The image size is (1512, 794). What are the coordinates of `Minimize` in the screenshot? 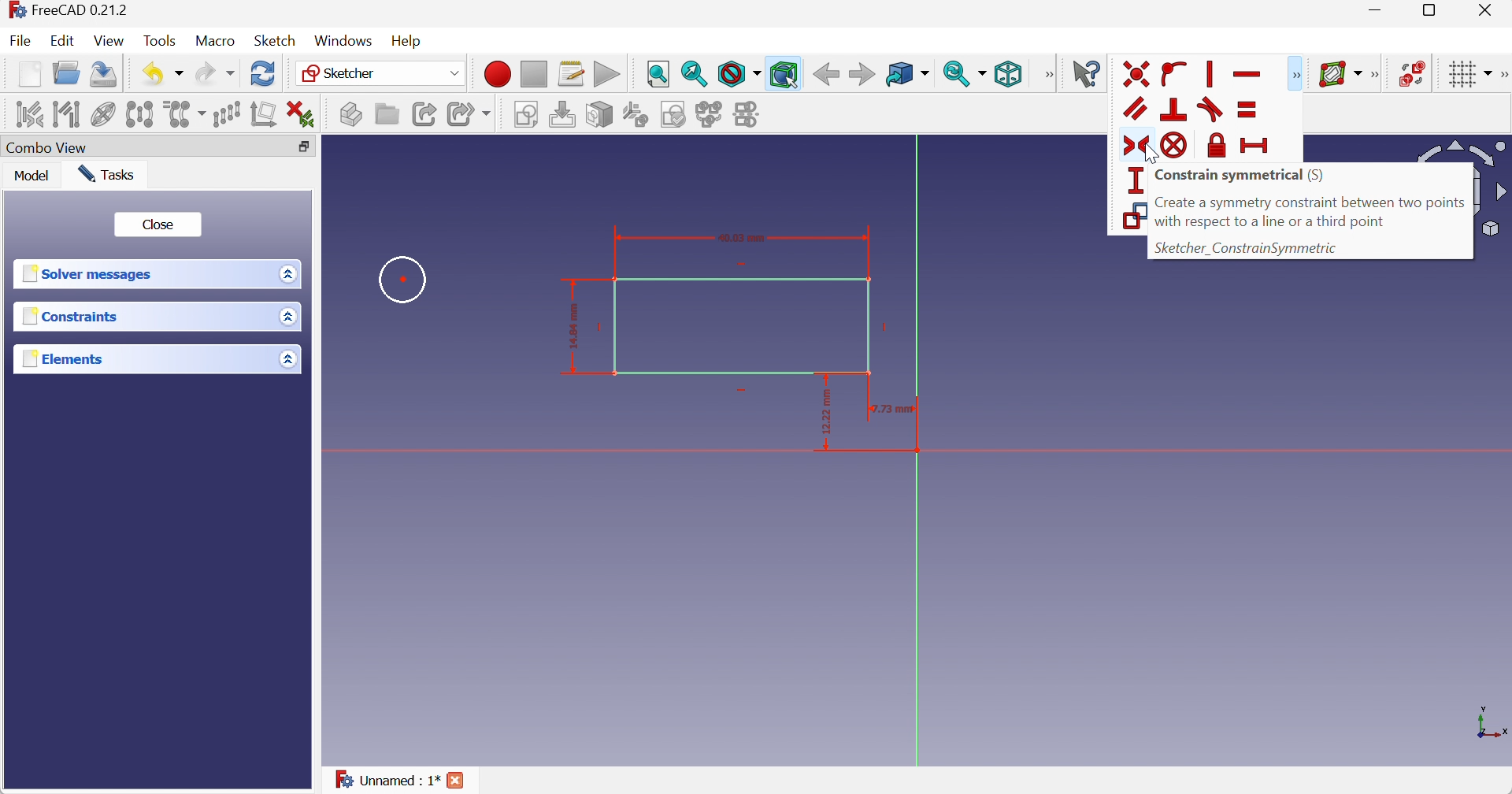 It's located at (1378, 10).